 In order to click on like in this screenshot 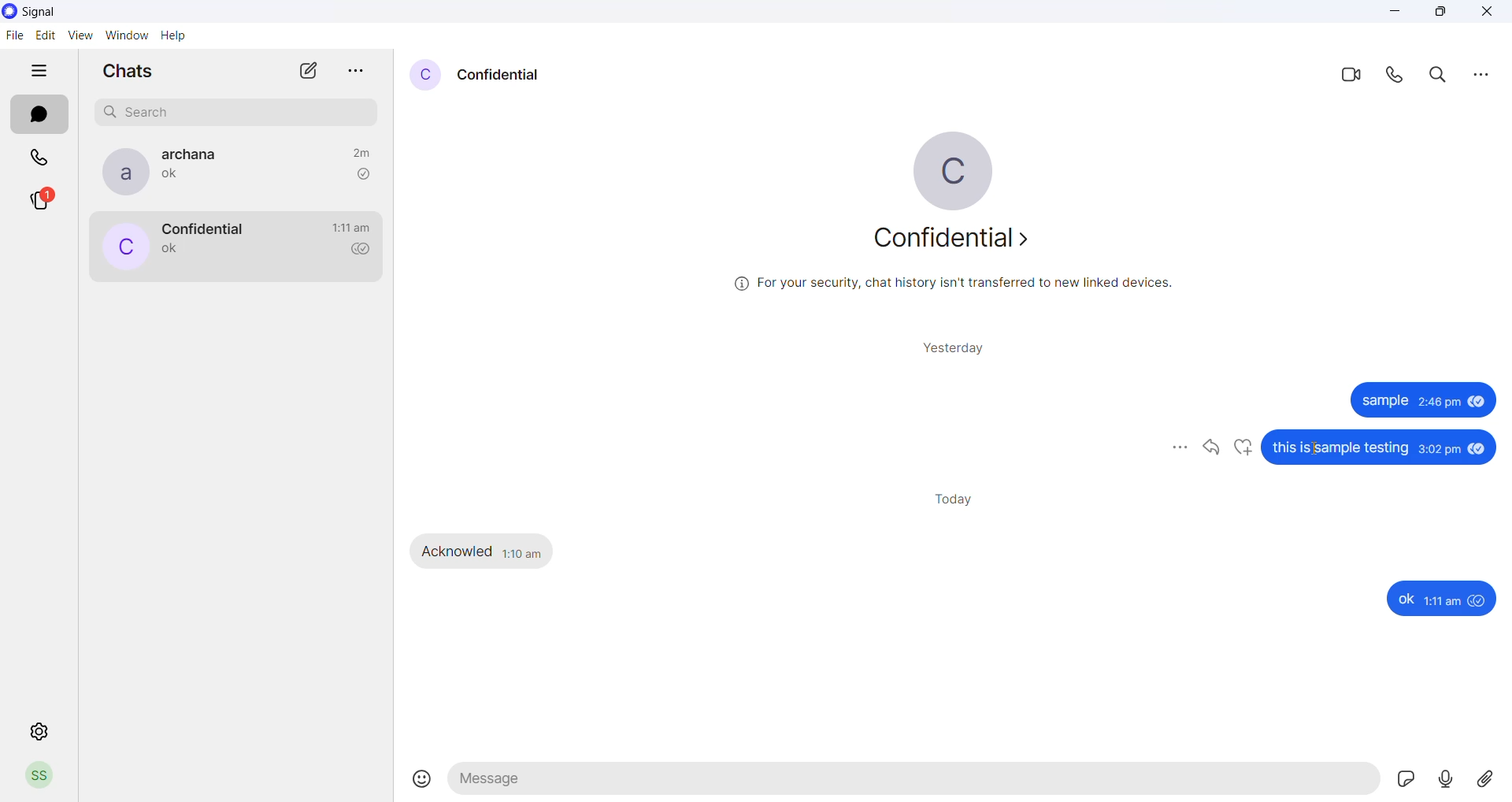, I will do `click(1242, 449)`.